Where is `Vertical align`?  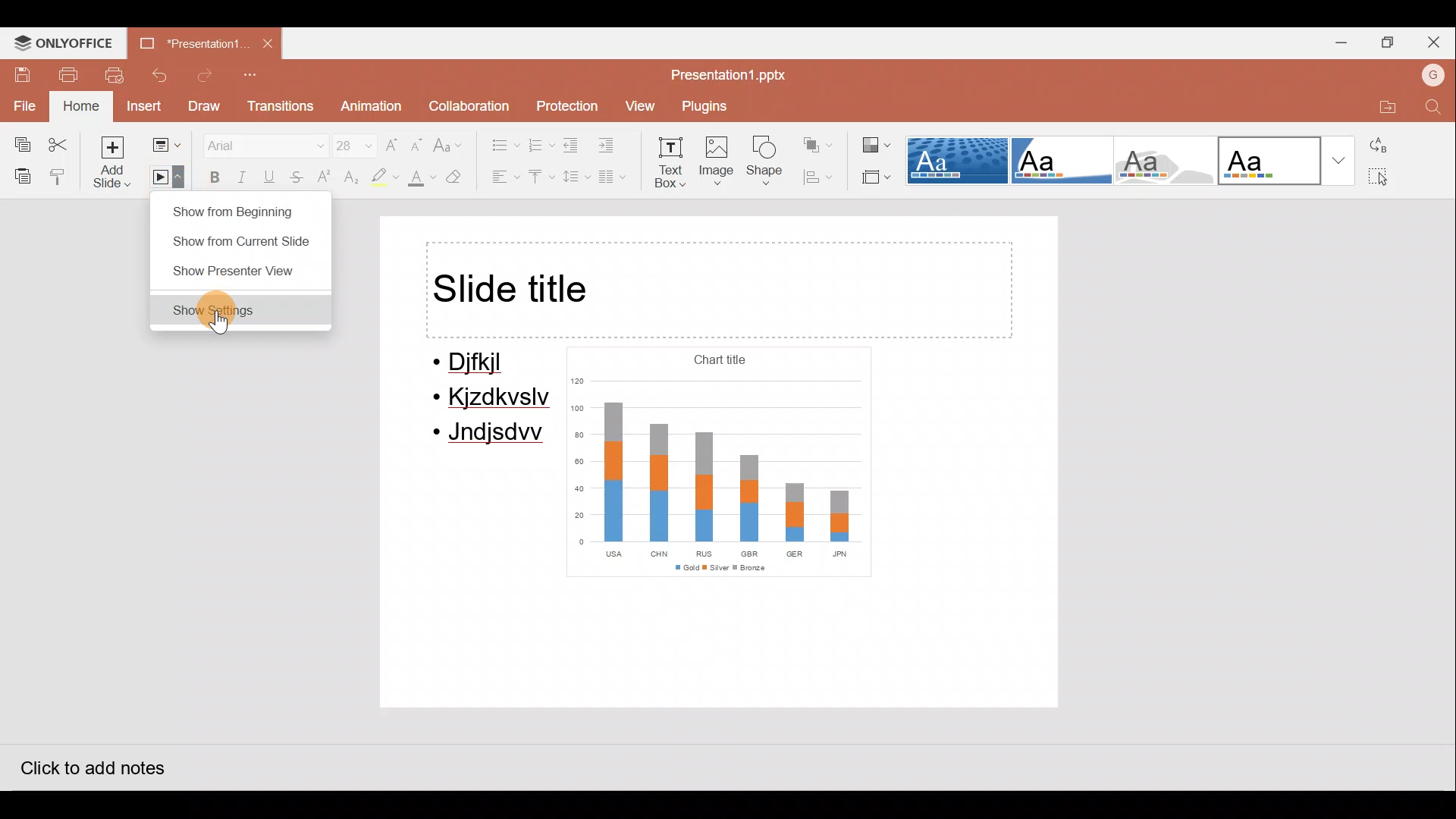
Vertical align is located at coordinates (538, 178).